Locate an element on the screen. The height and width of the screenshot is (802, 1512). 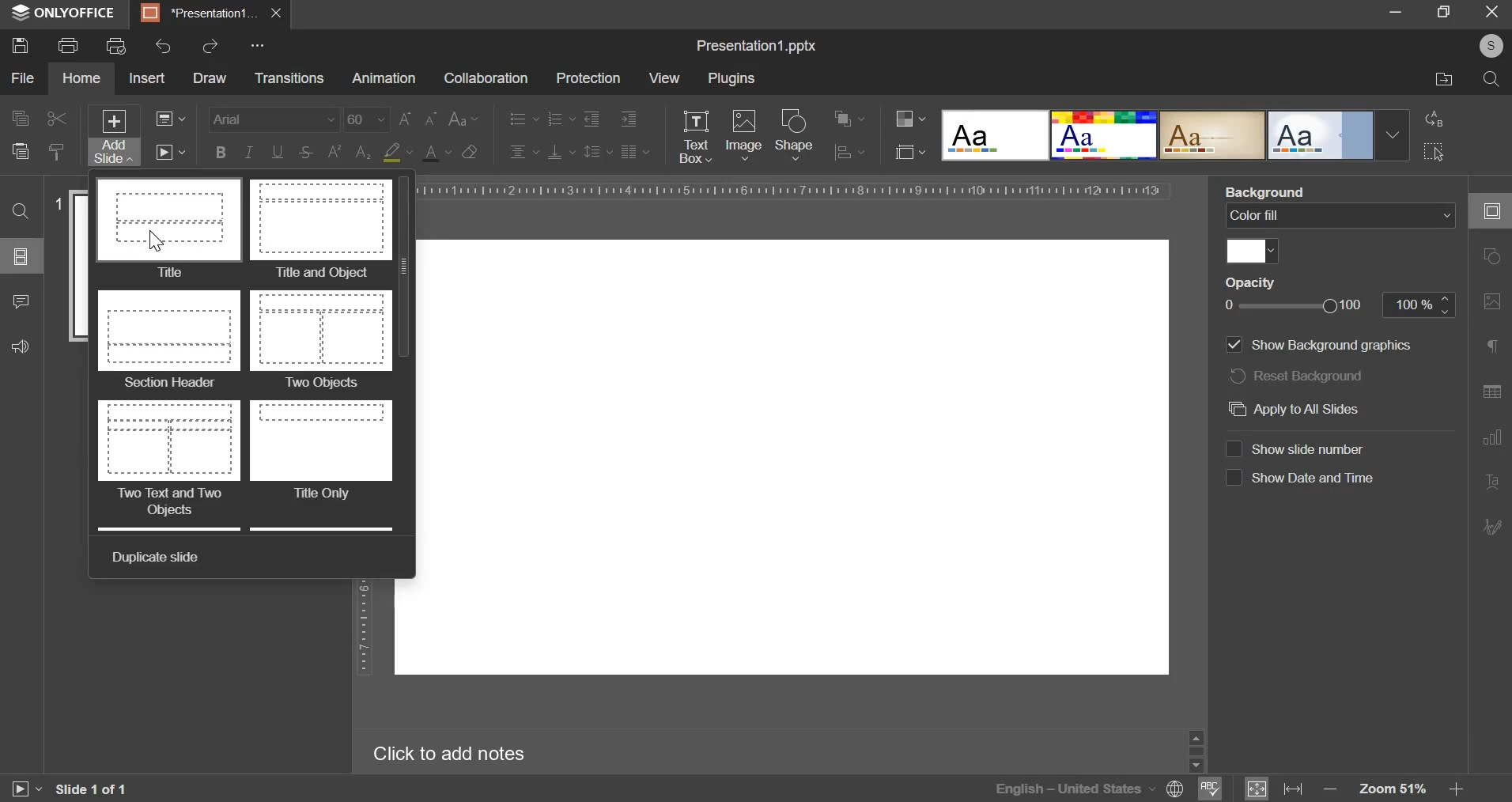
home is located at coordinates (81, 78).